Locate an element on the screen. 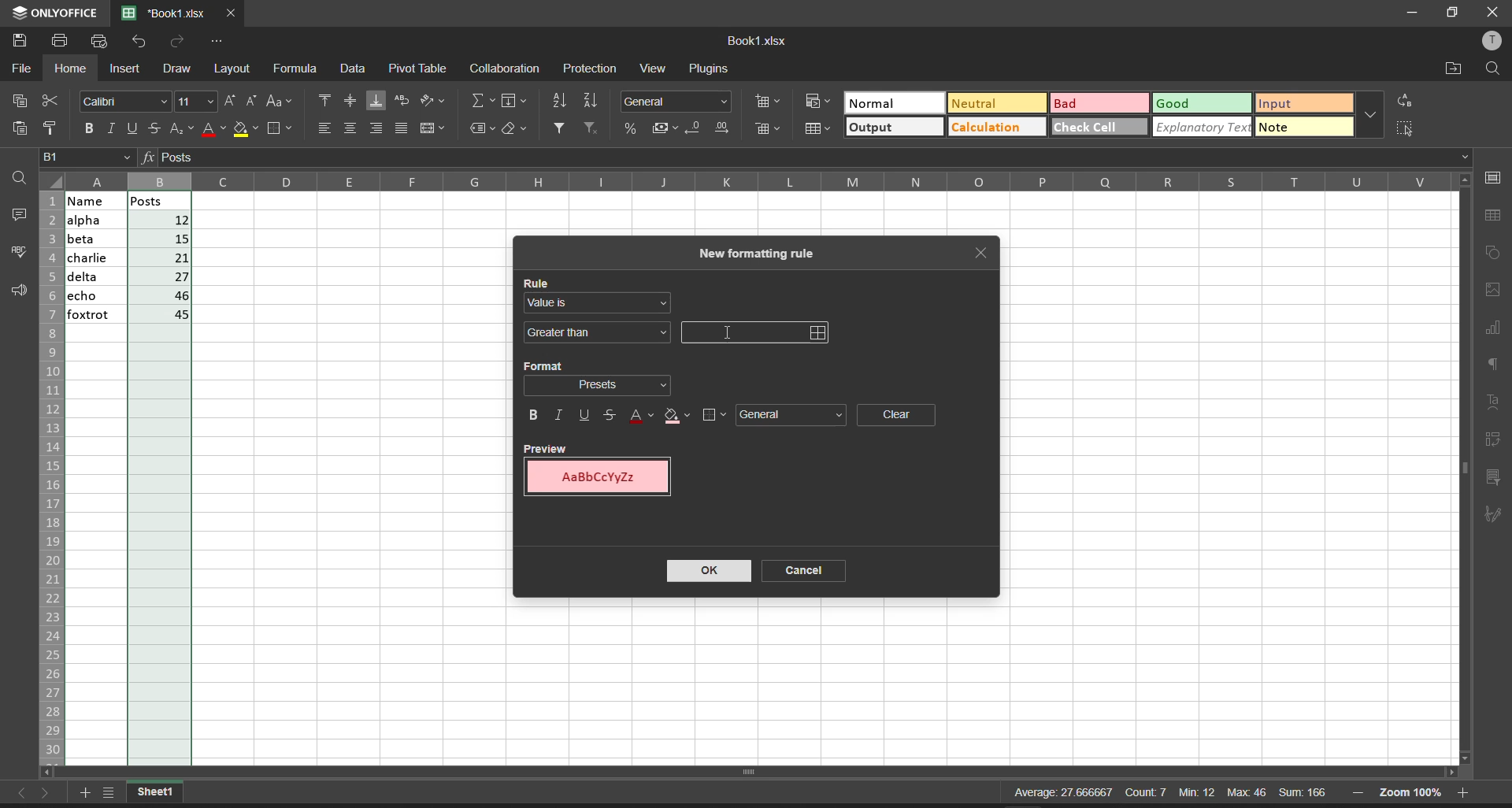 This screenshot has height=808, width=1512. scroll down is located at coordinates (1471, 754).